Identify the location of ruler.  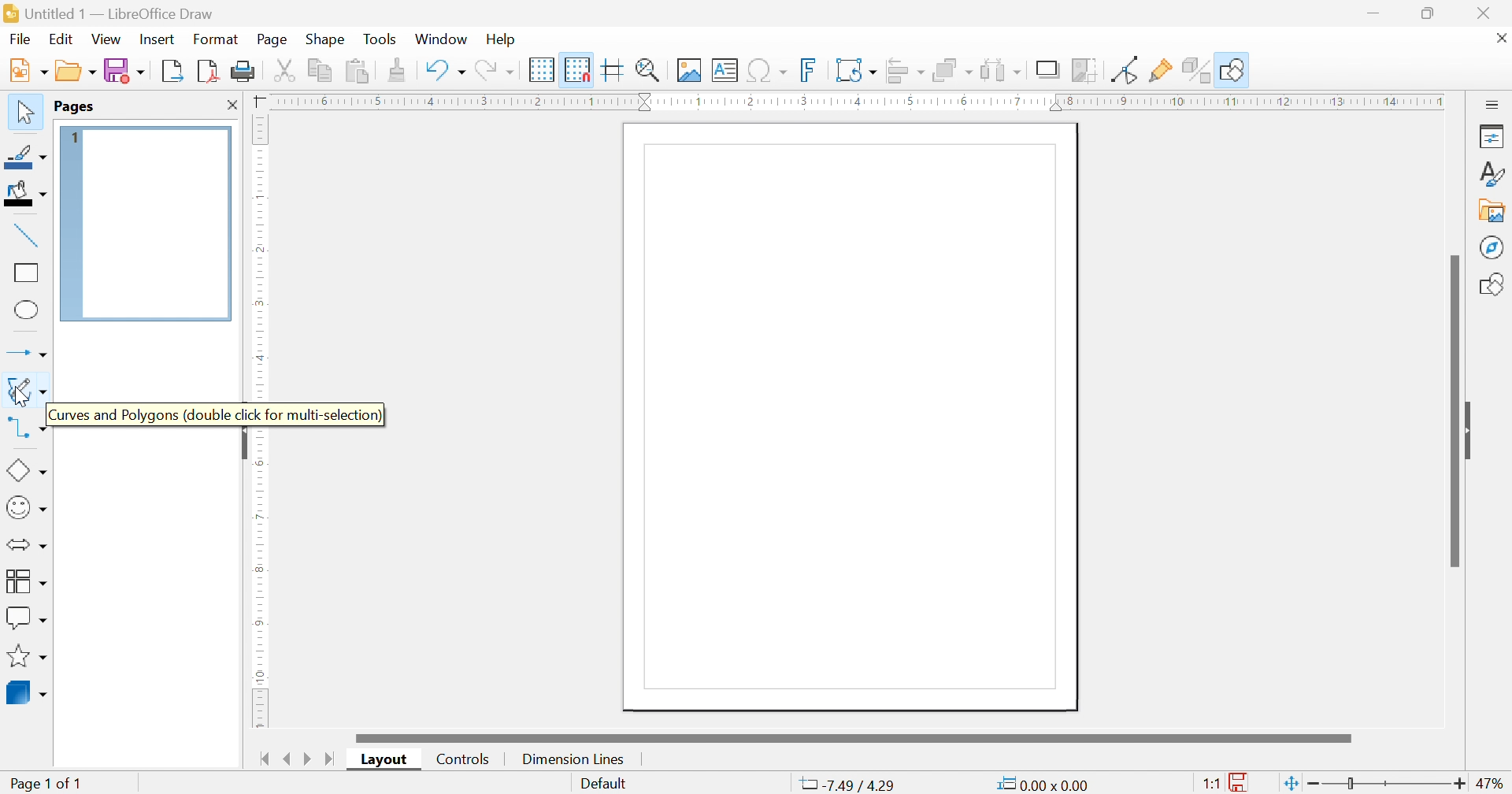
(855, 101).